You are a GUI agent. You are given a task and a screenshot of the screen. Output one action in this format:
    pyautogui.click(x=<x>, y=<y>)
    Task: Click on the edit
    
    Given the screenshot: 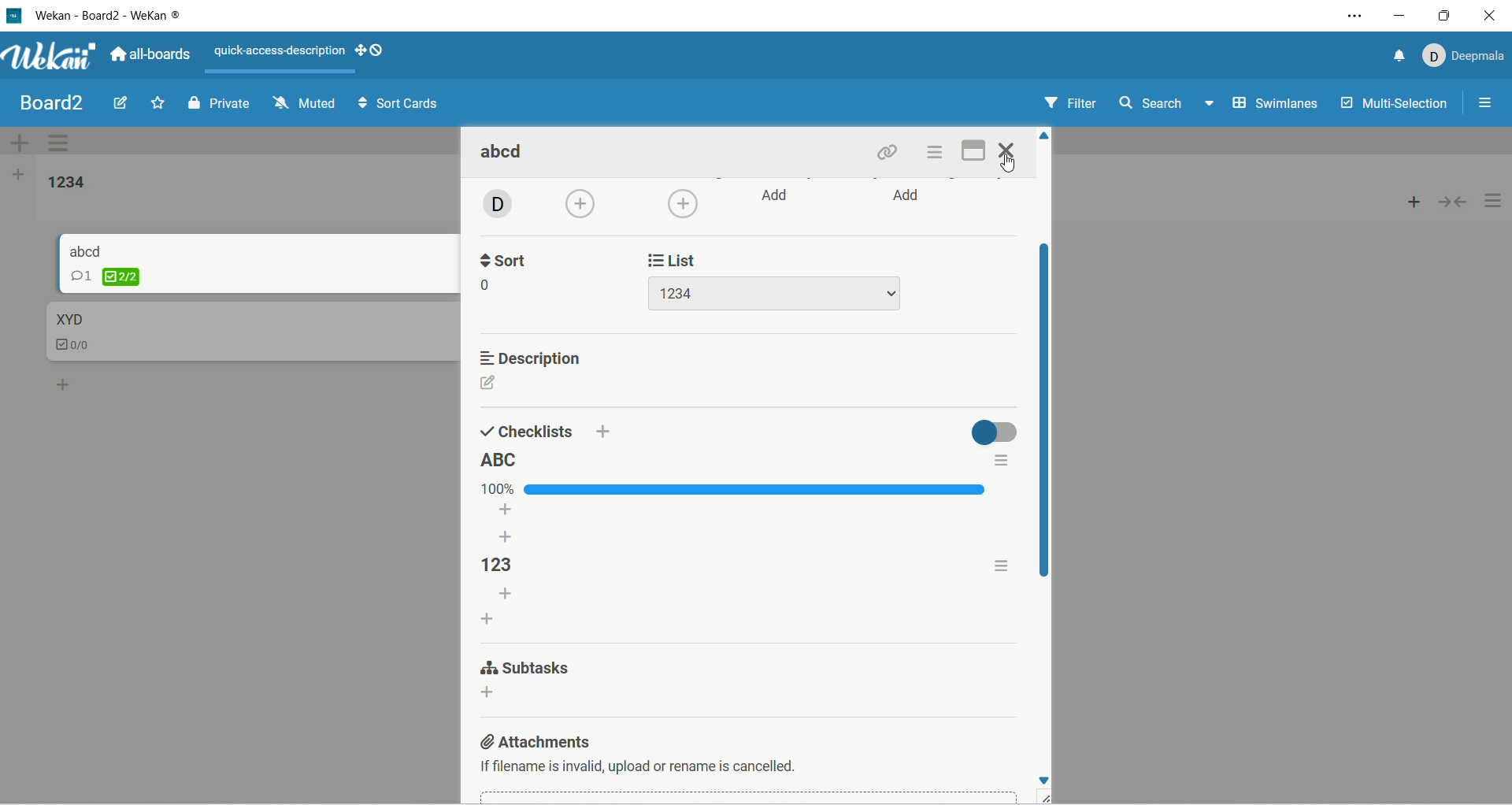 What is the action you would take?
    pyautogui.click(x=120, y=102)
    